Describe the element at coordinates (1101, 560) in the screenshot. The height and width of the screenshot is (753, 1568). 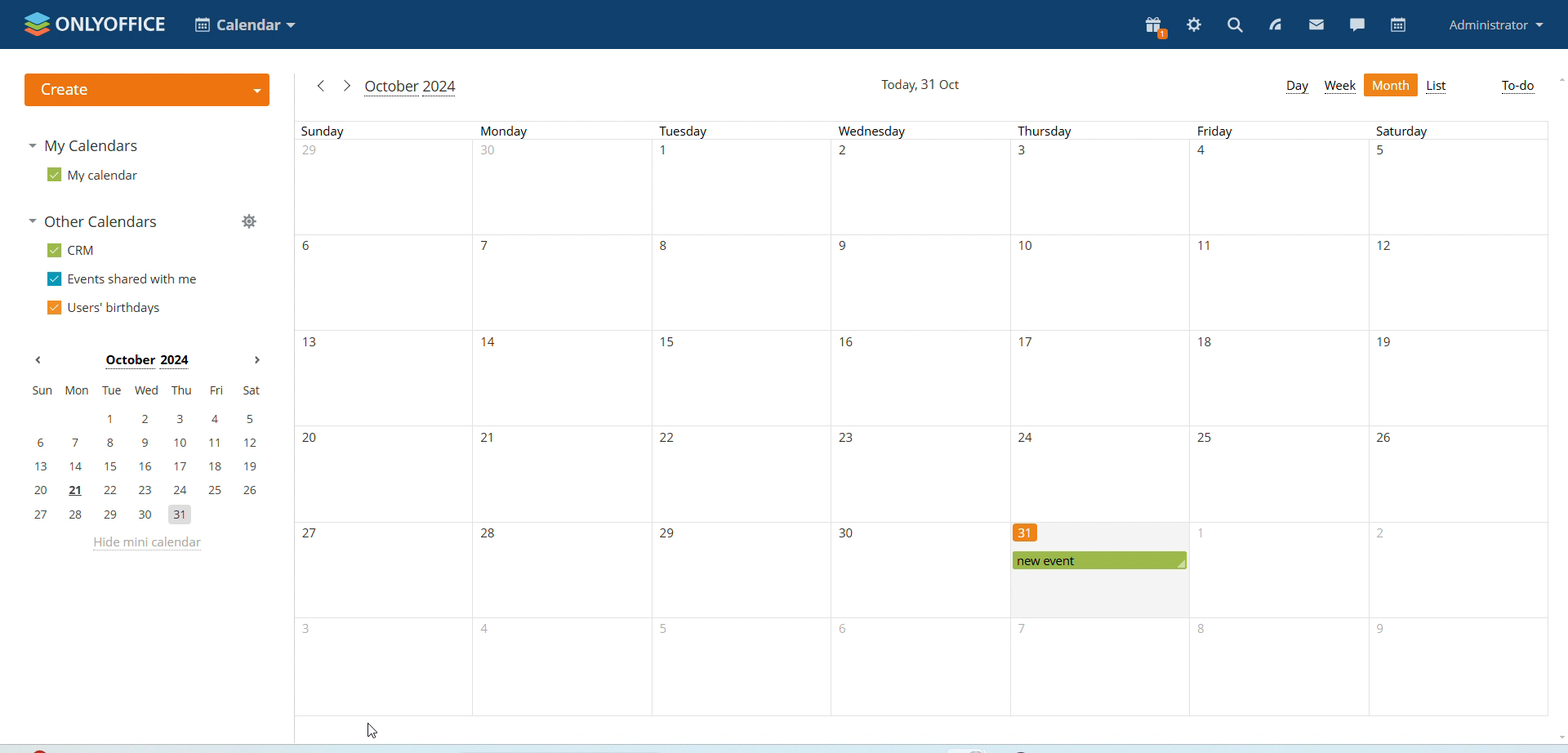
I see `new event added on current date` at that location.